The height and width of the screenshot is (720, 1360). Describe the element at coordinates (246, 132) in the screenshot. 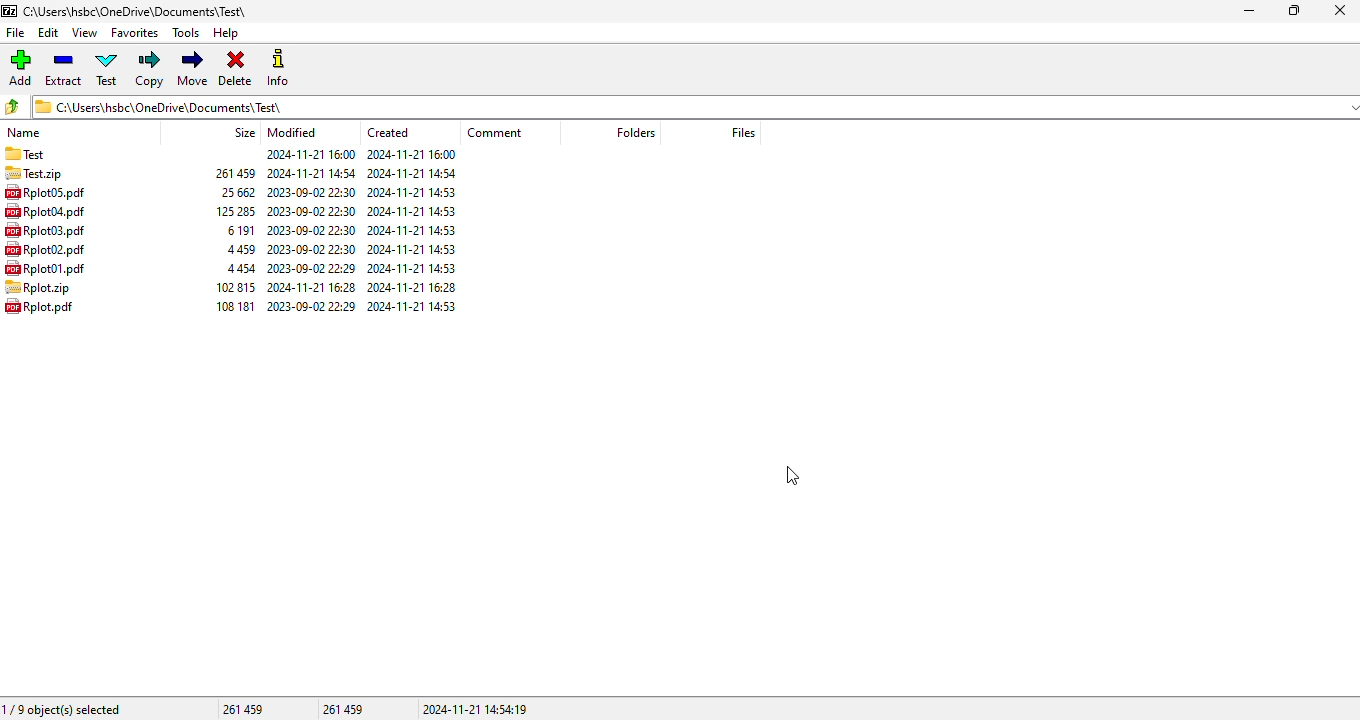

I see `size` at that location.